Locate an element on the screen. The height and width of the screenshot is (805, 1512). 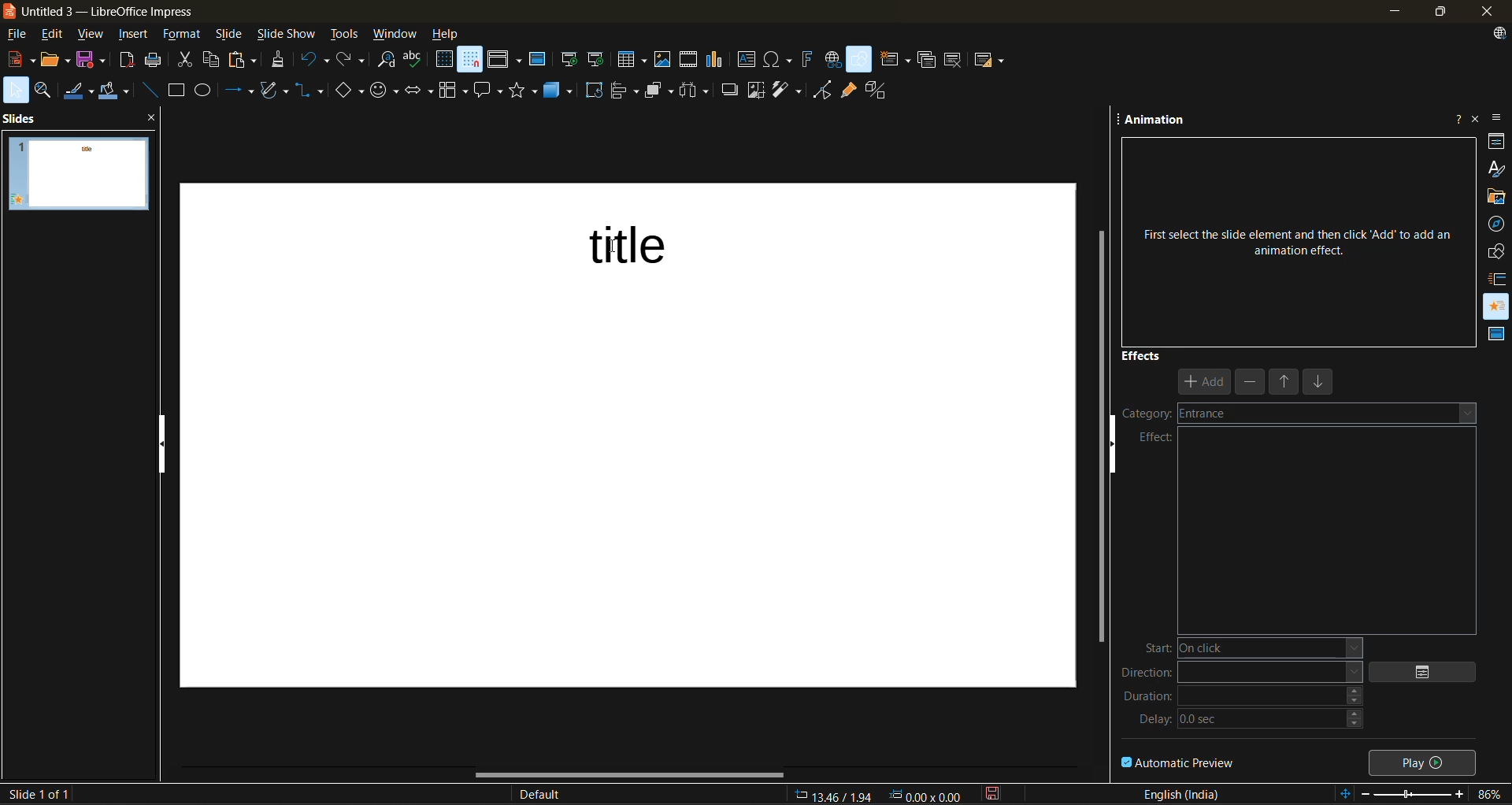
toggle point edit mode is located at coordinates (825, 91).